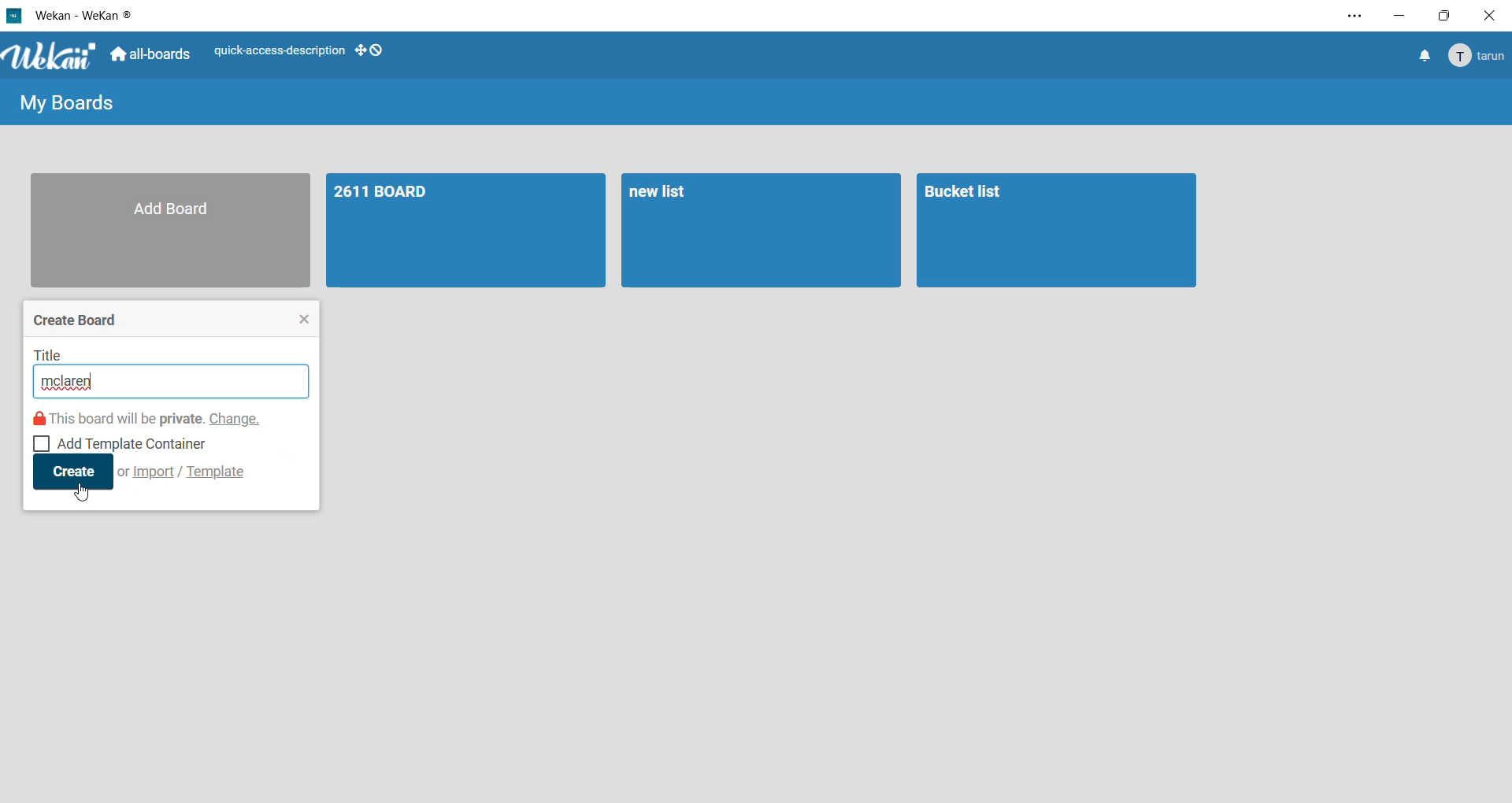 This screenshot has height=803, width=1512. What do you see at coordinates (1479, 56) in the screenshot?
I see `Account` at bounding box center [1479, 56].